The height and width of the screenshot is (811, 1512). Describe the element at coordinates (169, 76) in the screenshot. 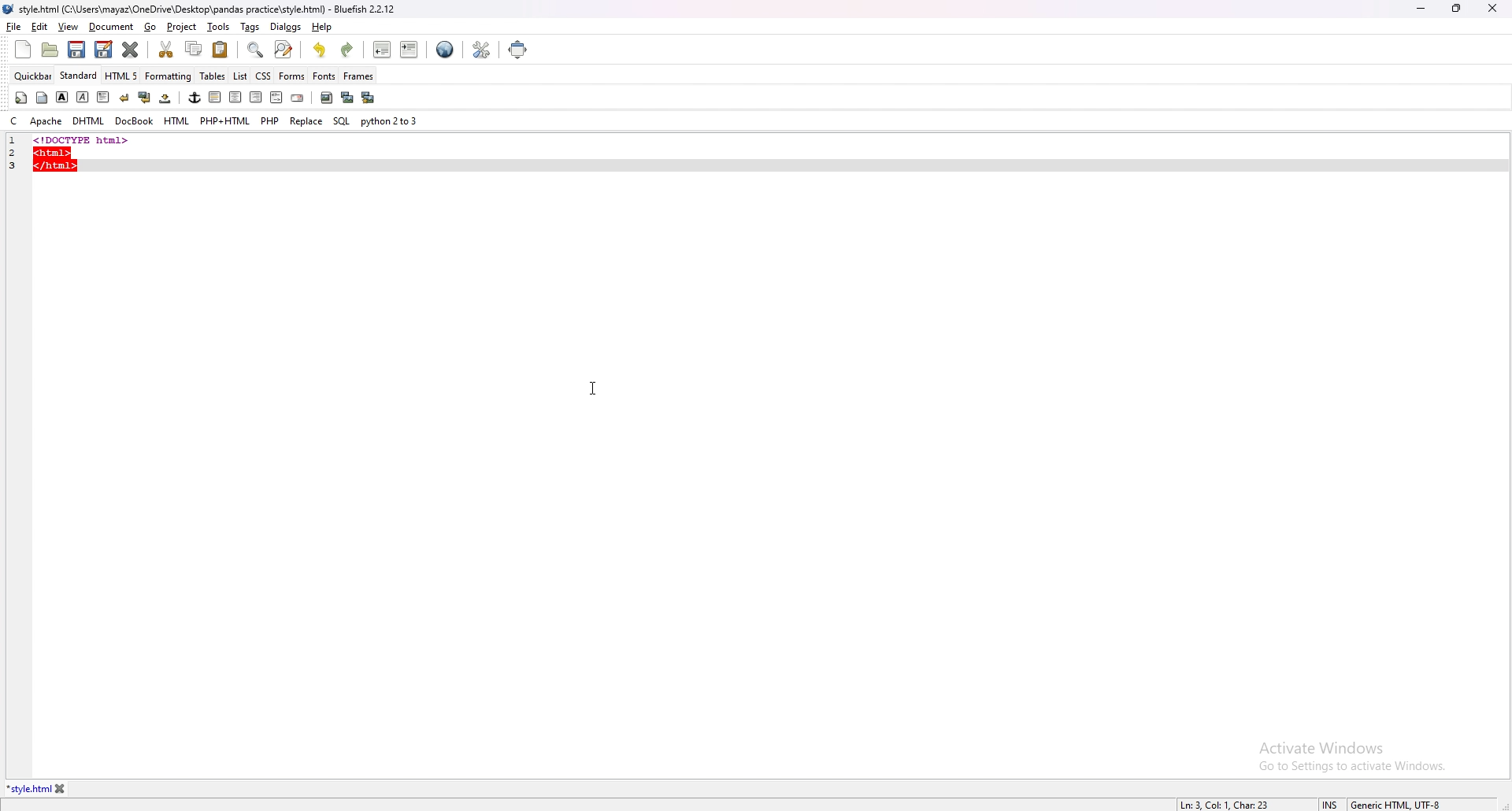

I see `formatting` at that location.